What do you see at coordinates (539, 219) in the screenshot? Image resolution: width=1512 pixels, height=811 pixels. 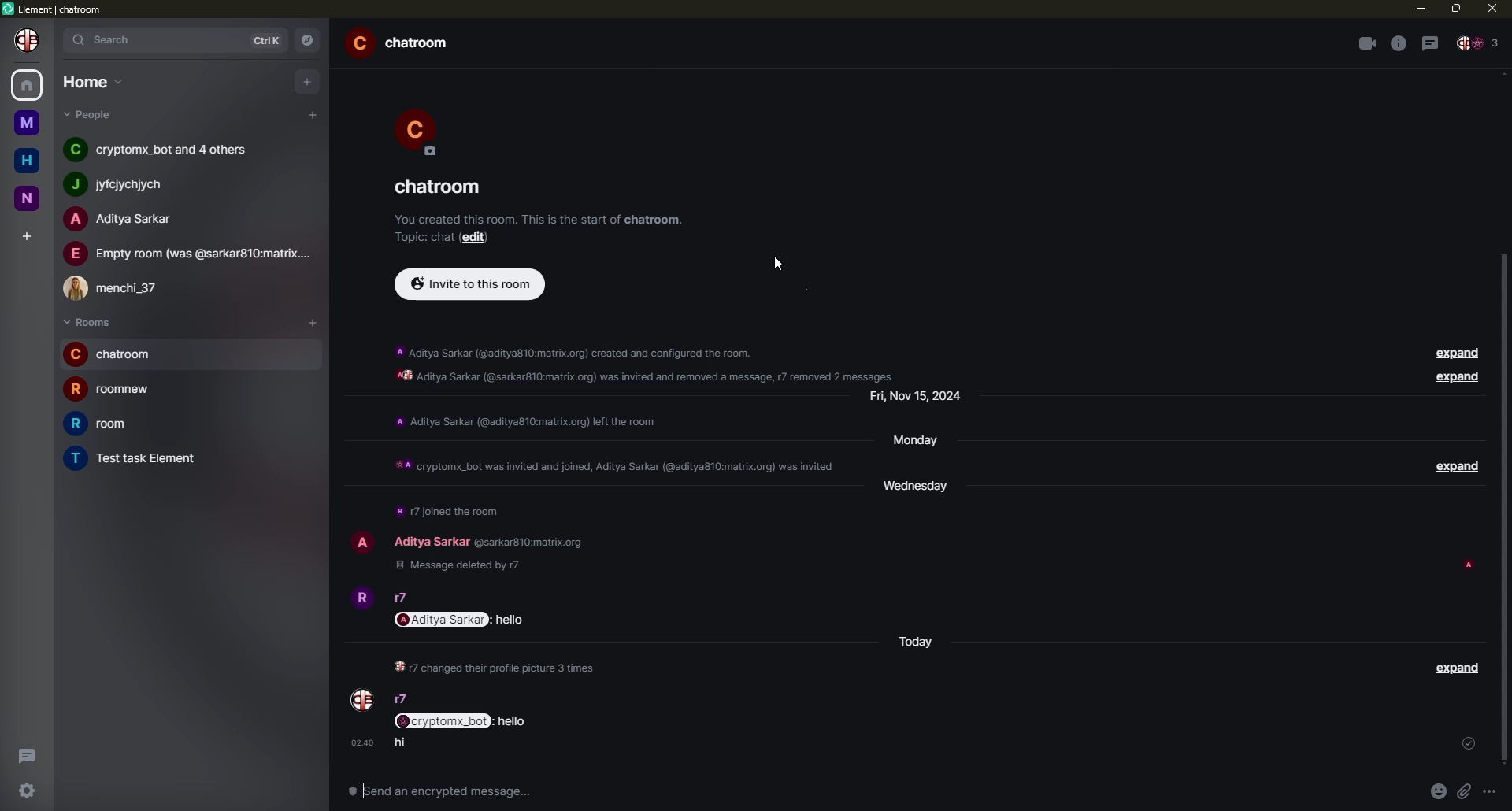 I see `info` at bounding box center [539, 219].